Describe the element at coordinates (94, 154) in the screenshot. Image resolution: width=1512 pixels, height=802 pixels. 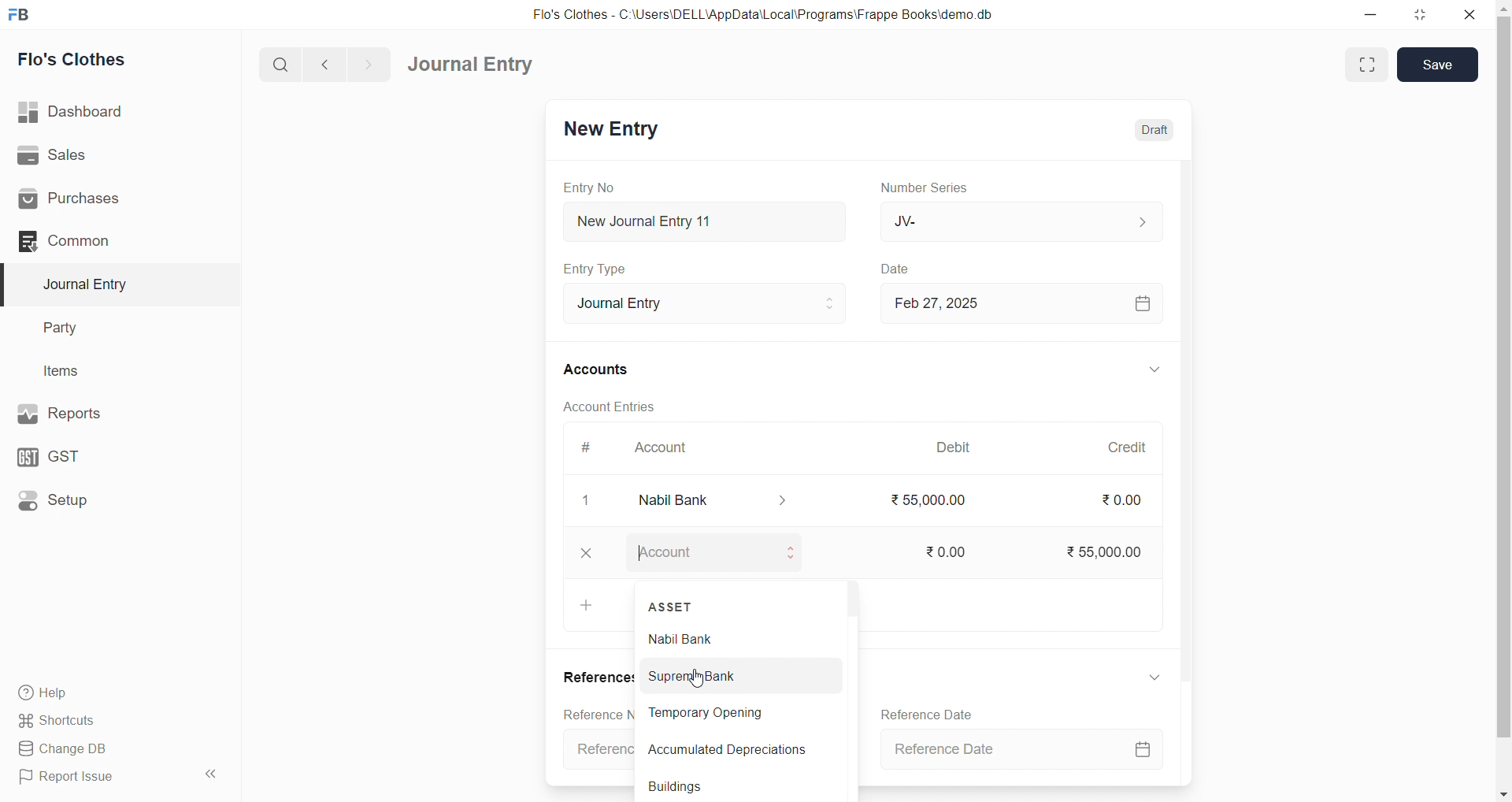
I see `Sales` at that location.